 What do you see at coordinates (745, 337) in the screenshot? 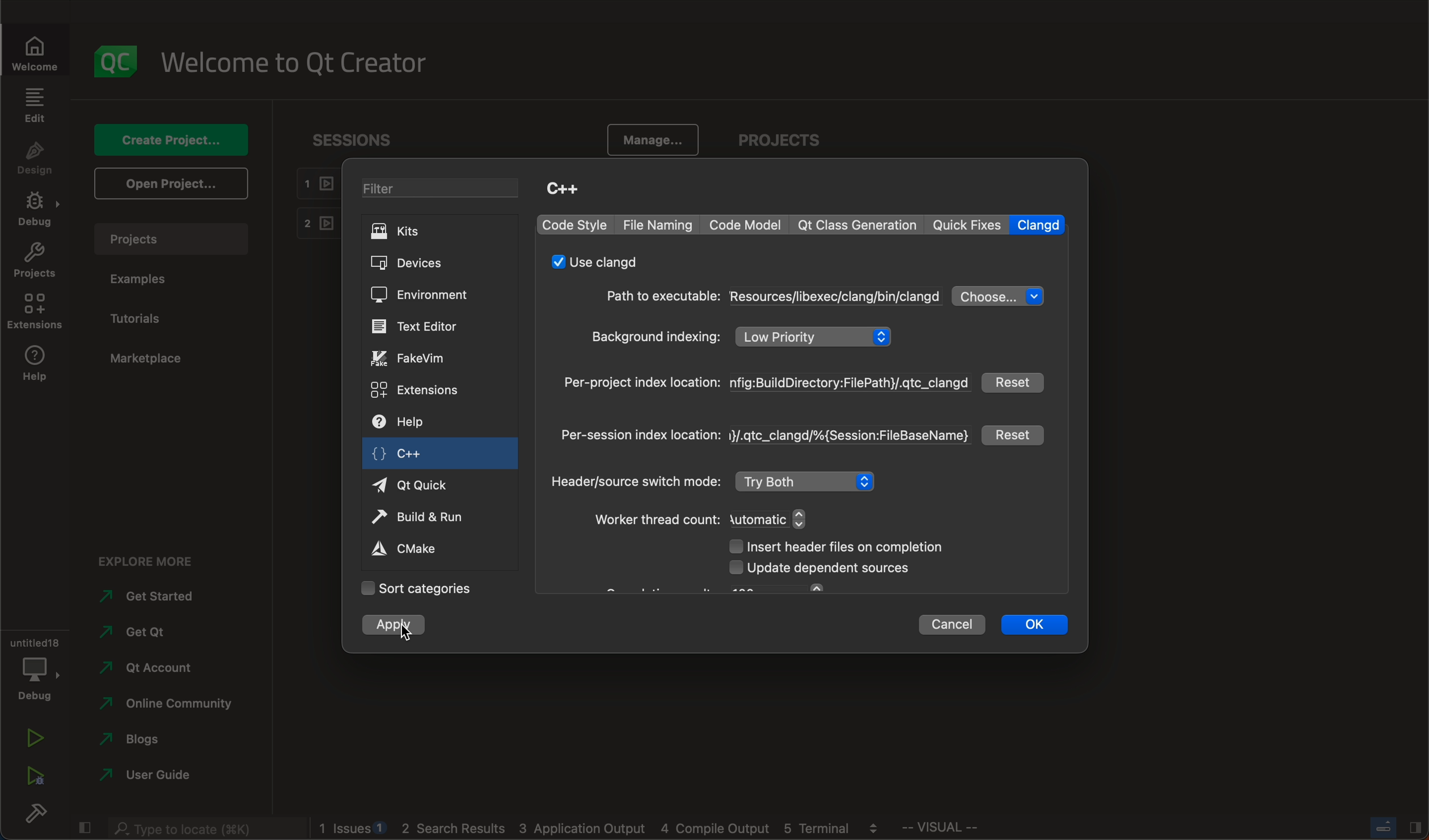
I see `background indexing` at bounding box center [745, 337].